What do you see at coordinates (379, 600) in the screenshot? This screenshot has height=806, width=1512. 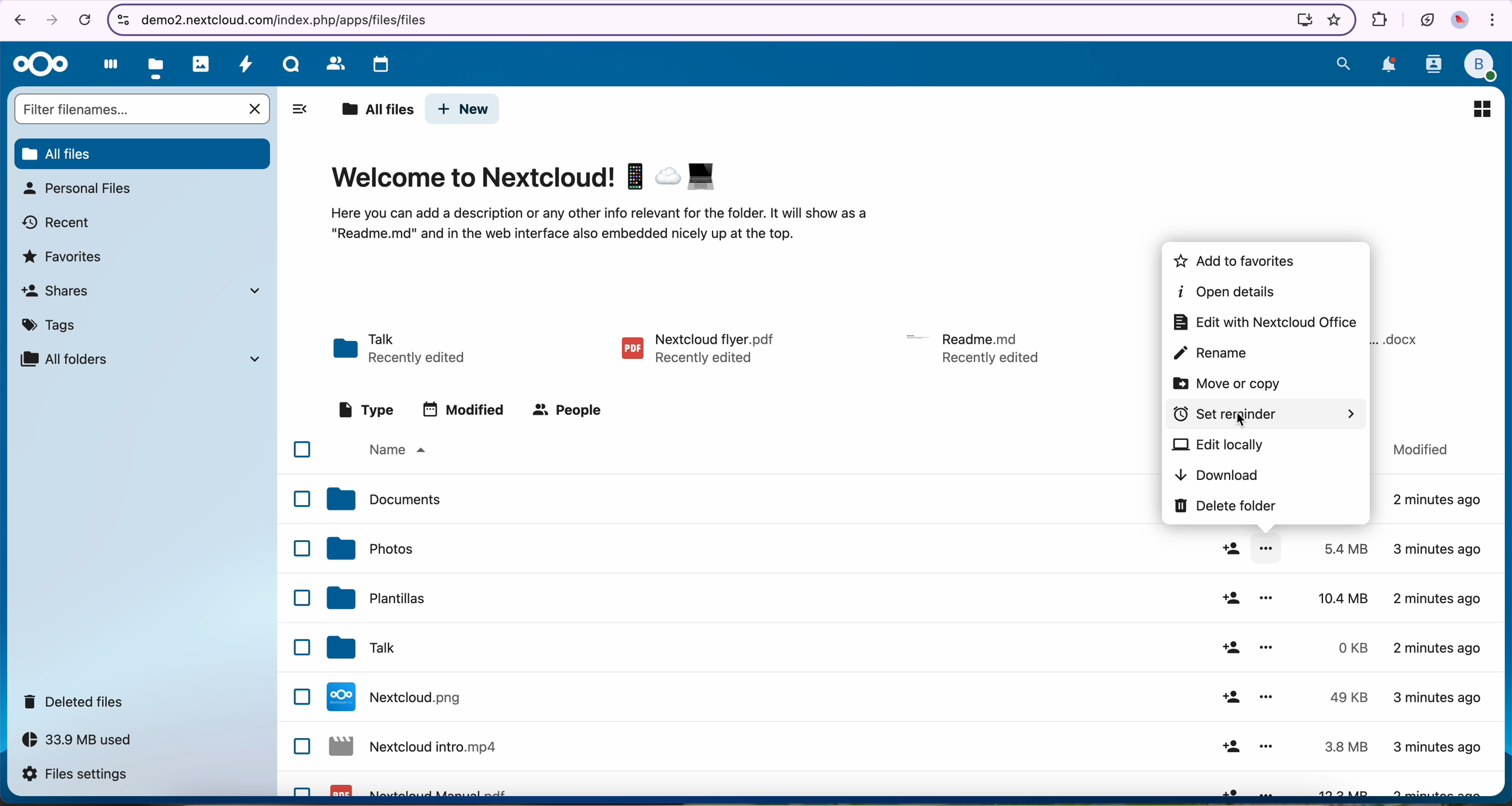 I see `templates` at bounding box center [379, 600].